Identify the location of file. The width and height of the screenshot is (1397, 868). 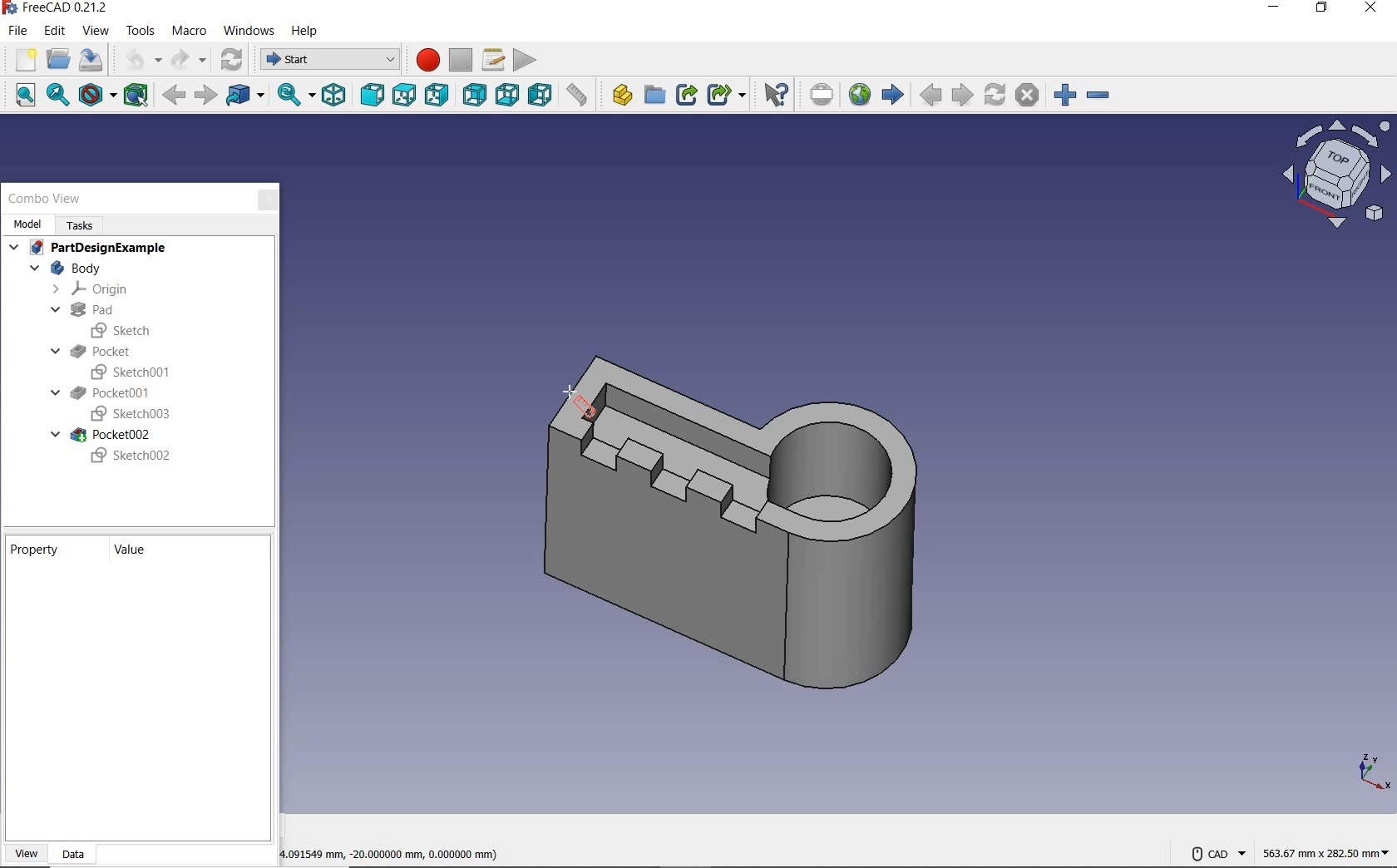
(15, 32).